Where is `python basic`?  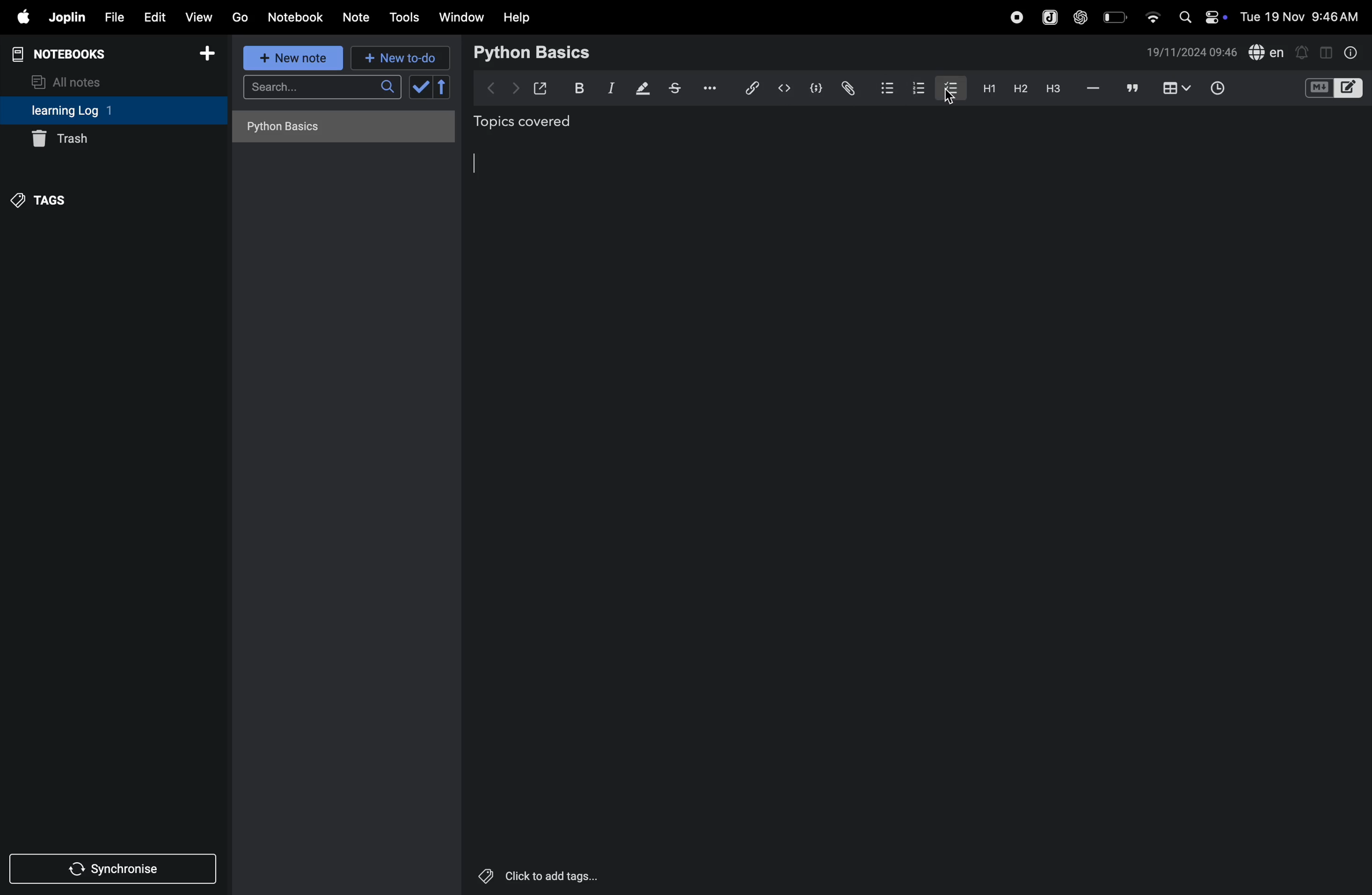 python basic is located at coordinates (534, 51).